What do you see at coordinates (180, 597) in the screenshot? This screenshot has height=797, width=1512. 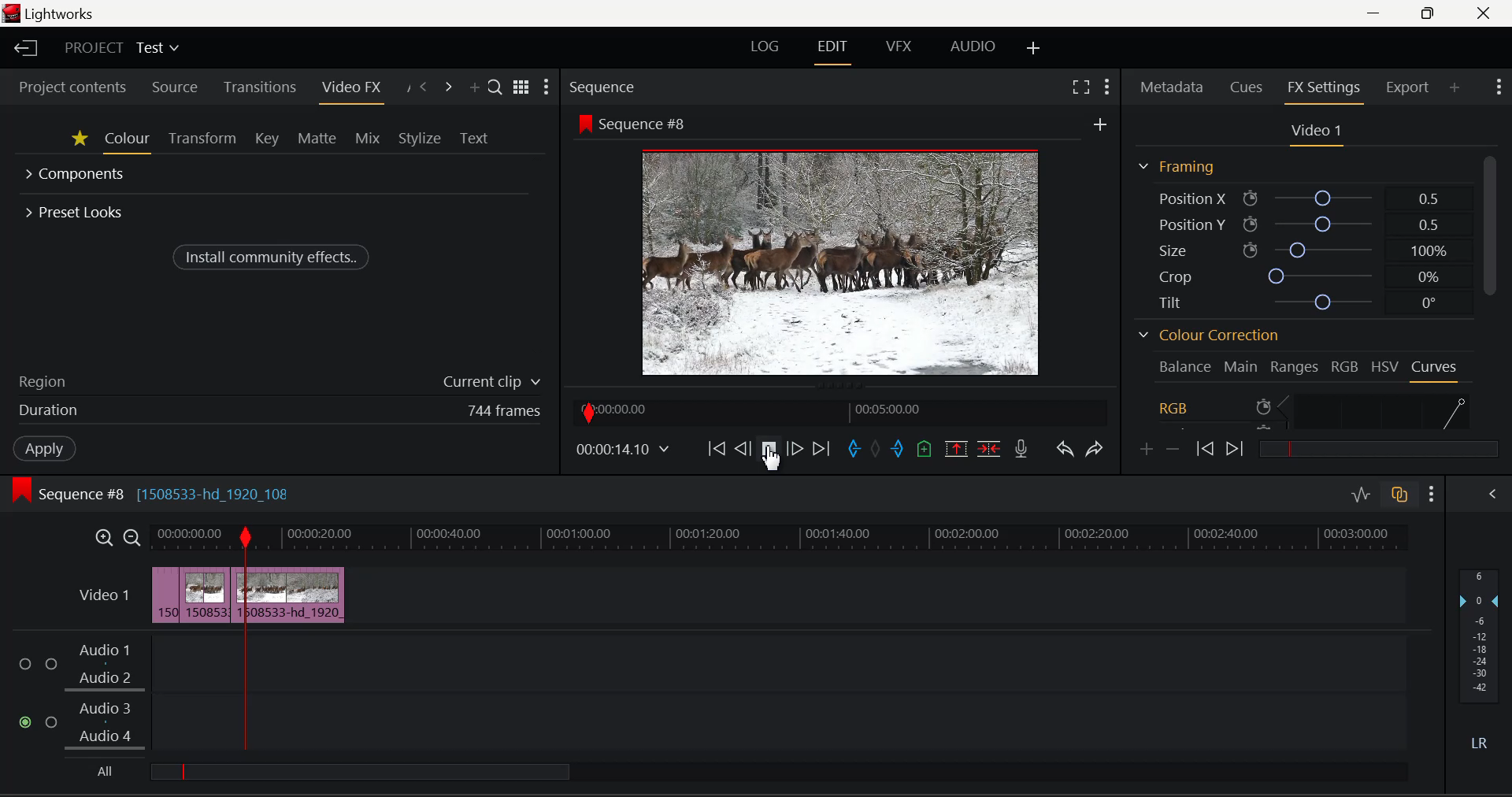 I see `First Cut` at bounding box center [180, 597].